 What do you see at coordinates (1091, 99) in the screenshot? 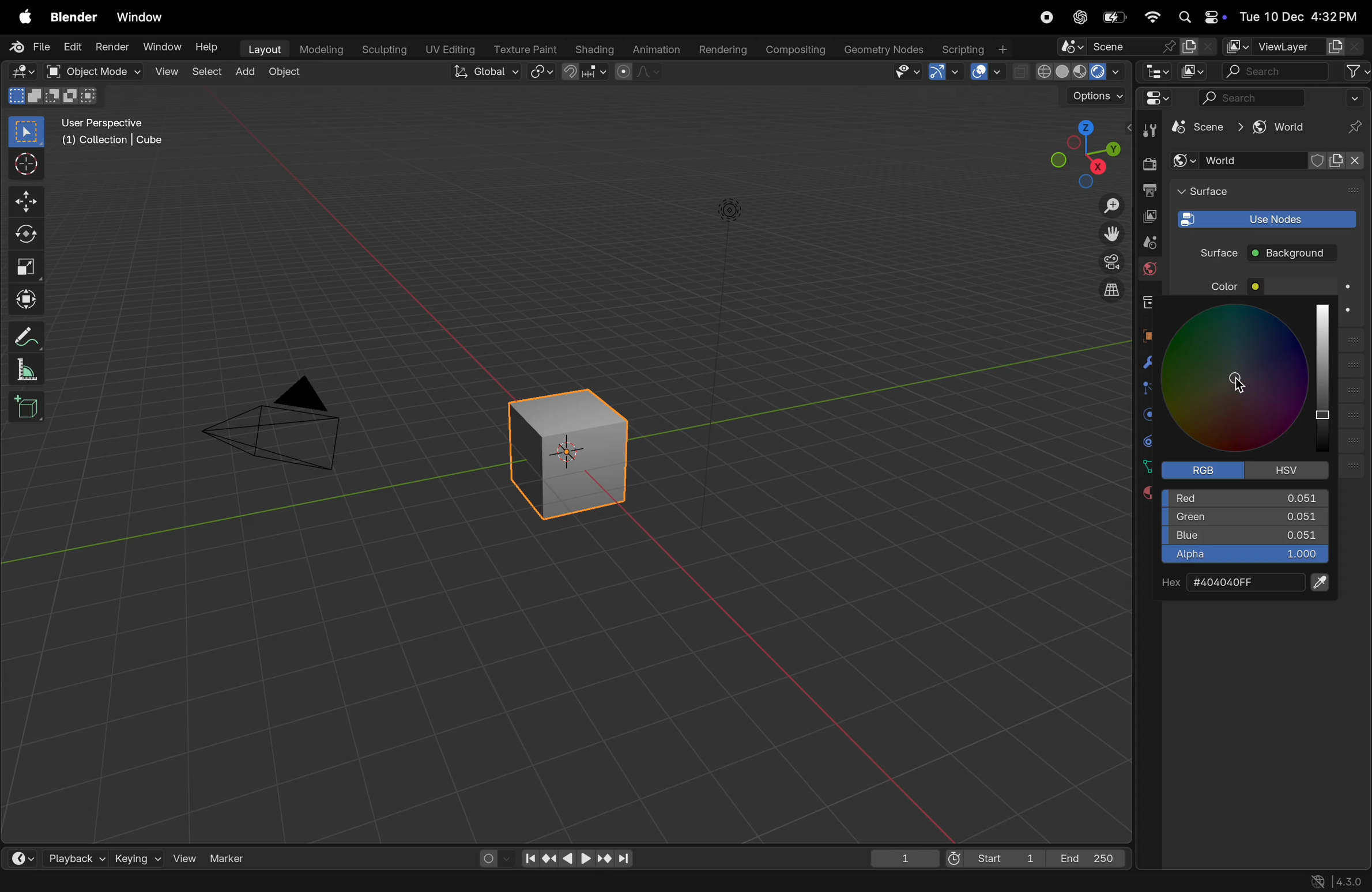
I see `options` at bounding box center [1091, 99].